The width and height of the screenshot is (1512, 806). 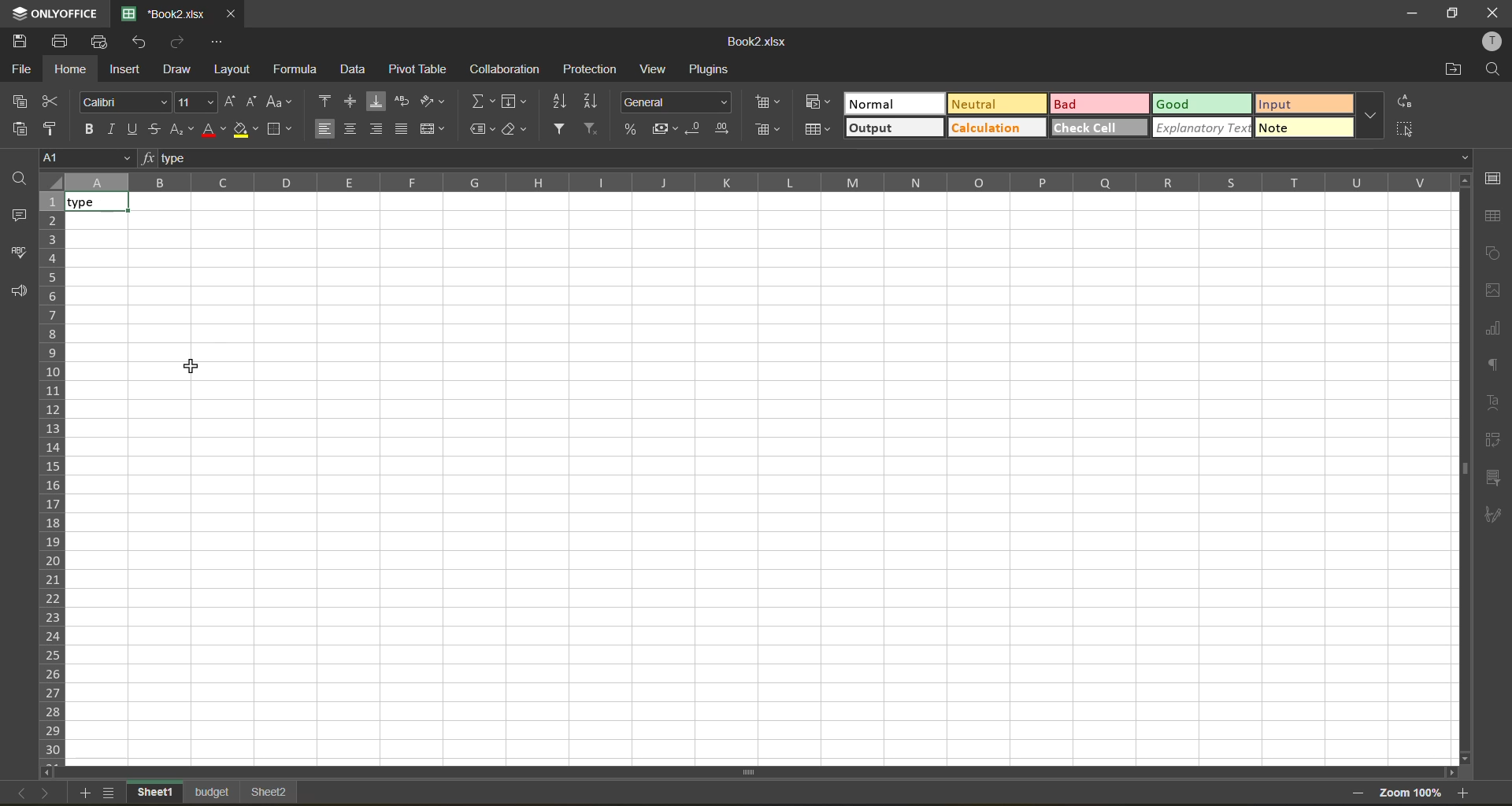 I want to click on replace, so click(x=1405, y=106).